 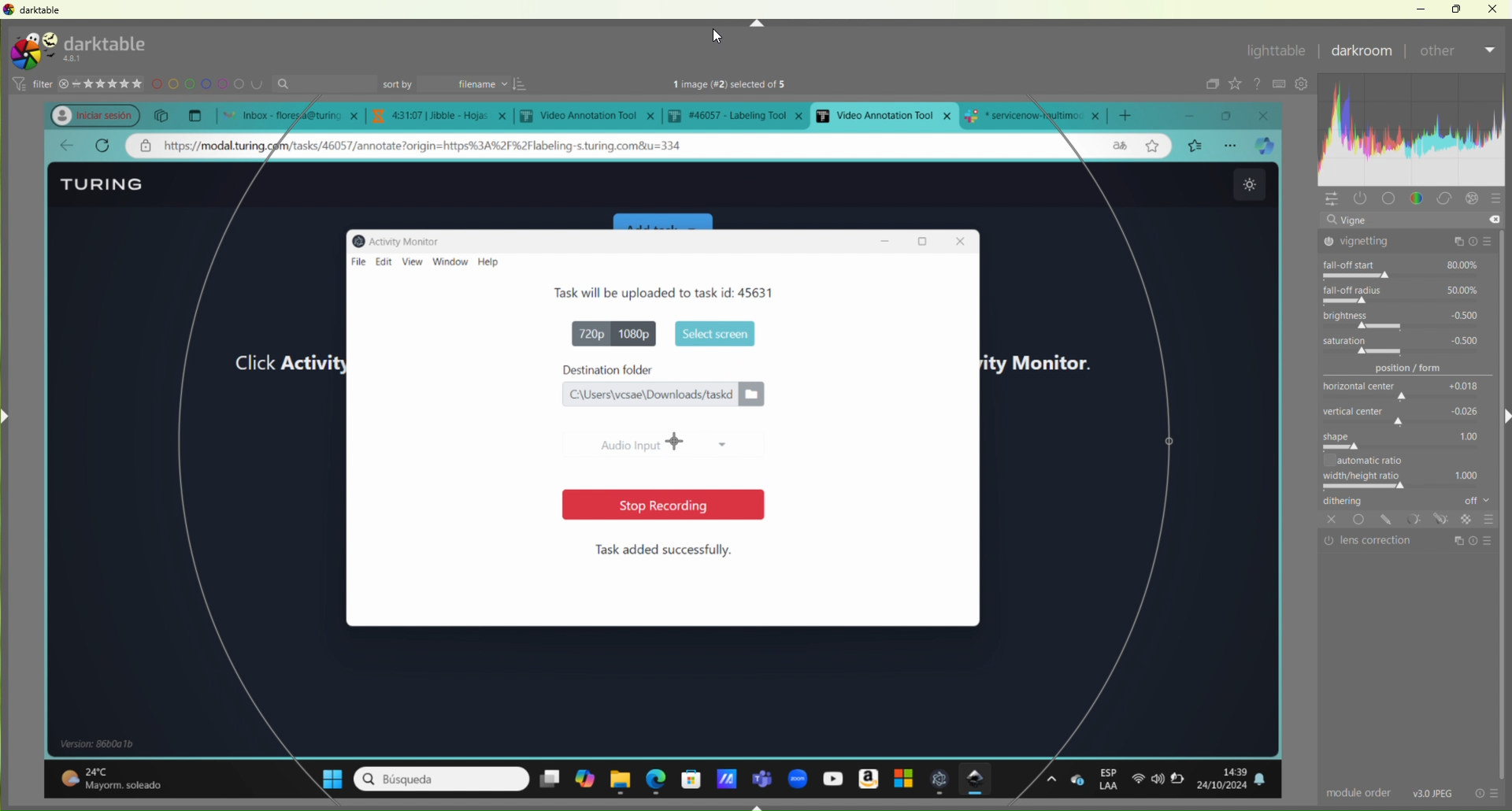 I want to click on theme change, so click(x=1247, y=185).